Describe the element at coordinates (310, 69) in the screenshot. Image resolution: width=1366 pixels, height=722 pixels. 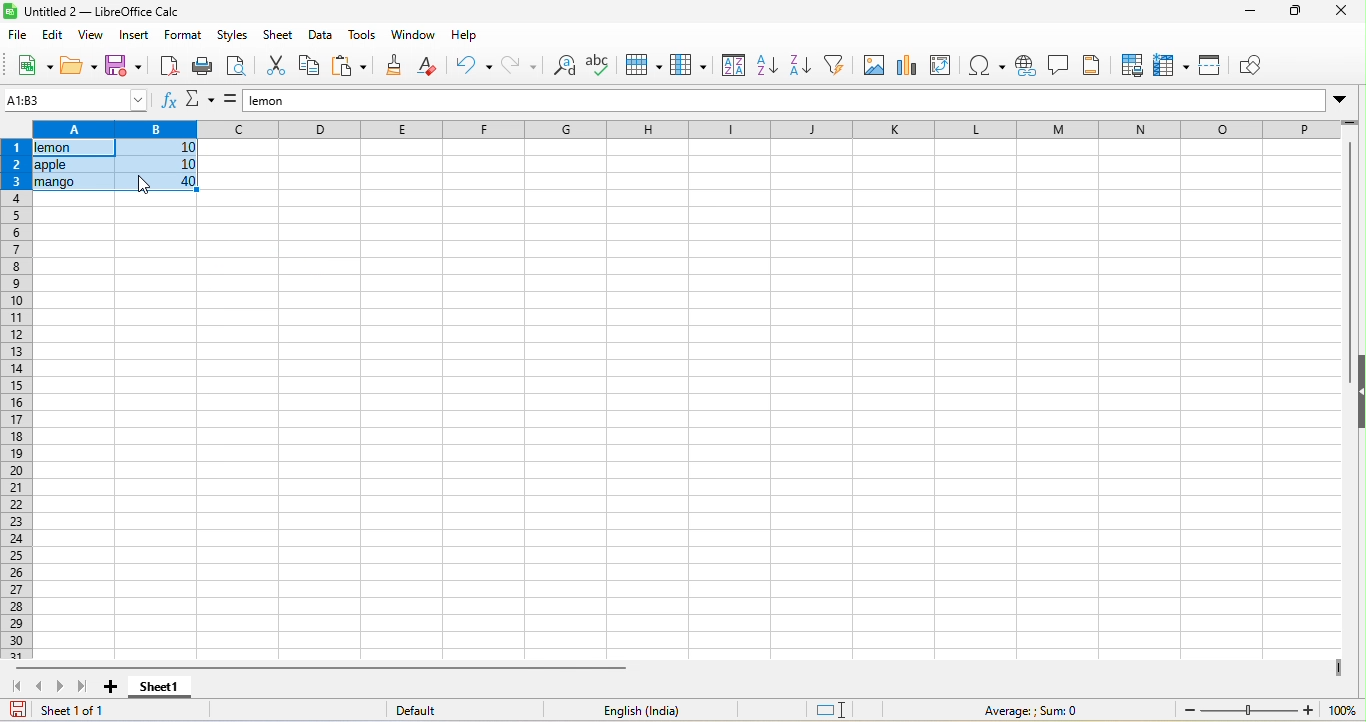
I see `copy` at that location.